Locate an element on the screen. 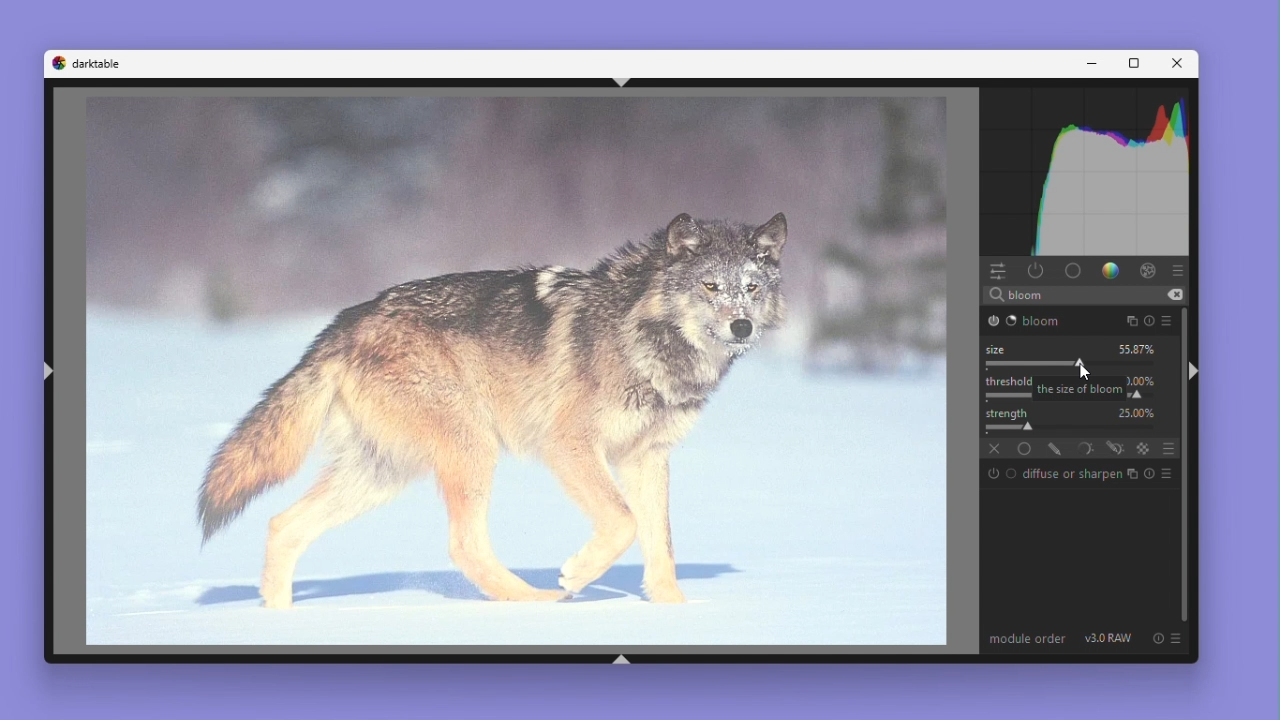 This screenshot has height=720, width=1280. preset is located at coordinates (1169, 320).